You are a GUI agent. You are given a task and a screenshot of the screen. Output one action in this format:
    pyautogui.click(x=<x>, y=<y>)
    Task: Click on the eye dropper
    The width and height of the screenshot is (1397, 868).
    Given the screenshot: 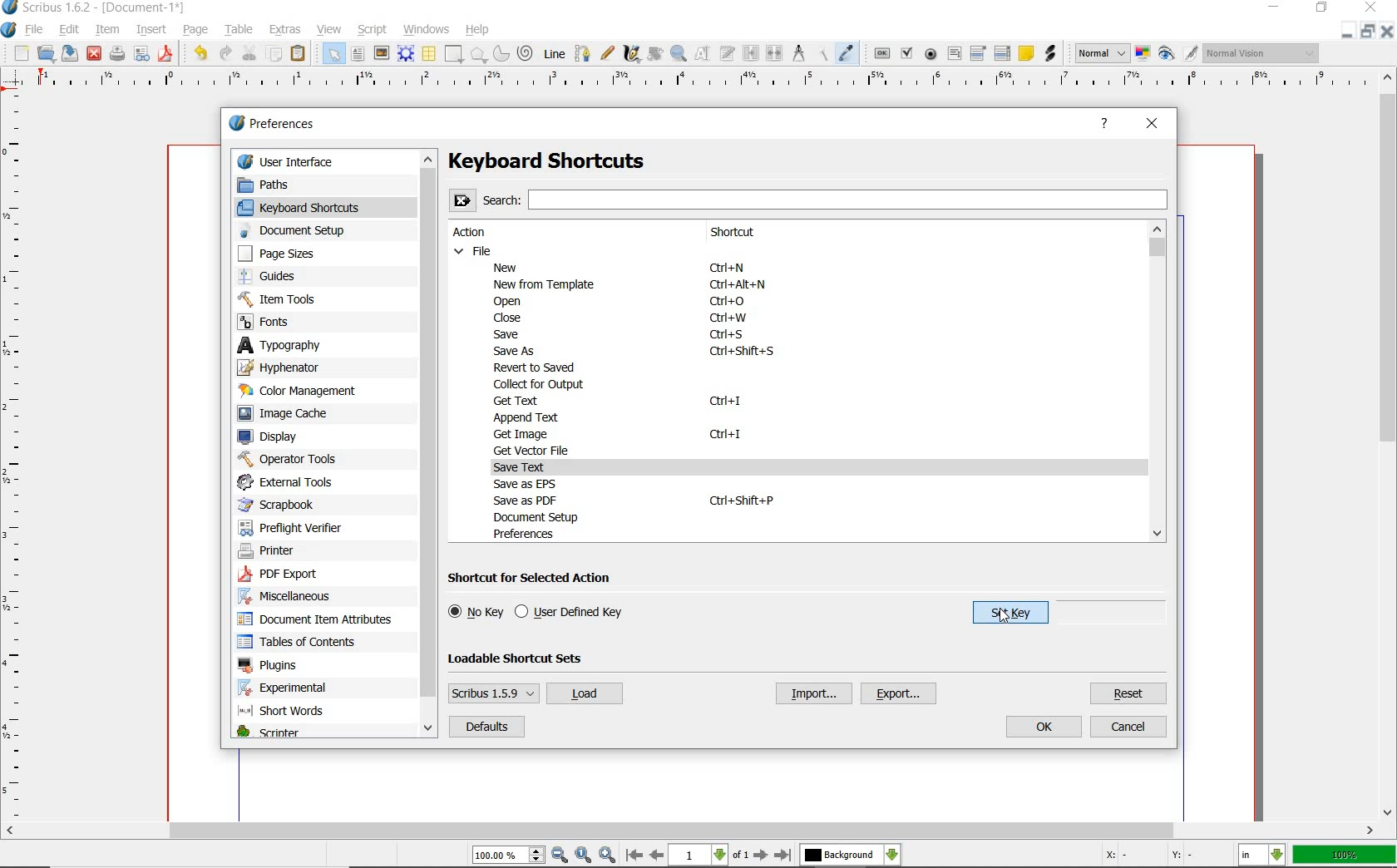 What is the action you would take?
    pyautogui.click(x=847, y=52)
    